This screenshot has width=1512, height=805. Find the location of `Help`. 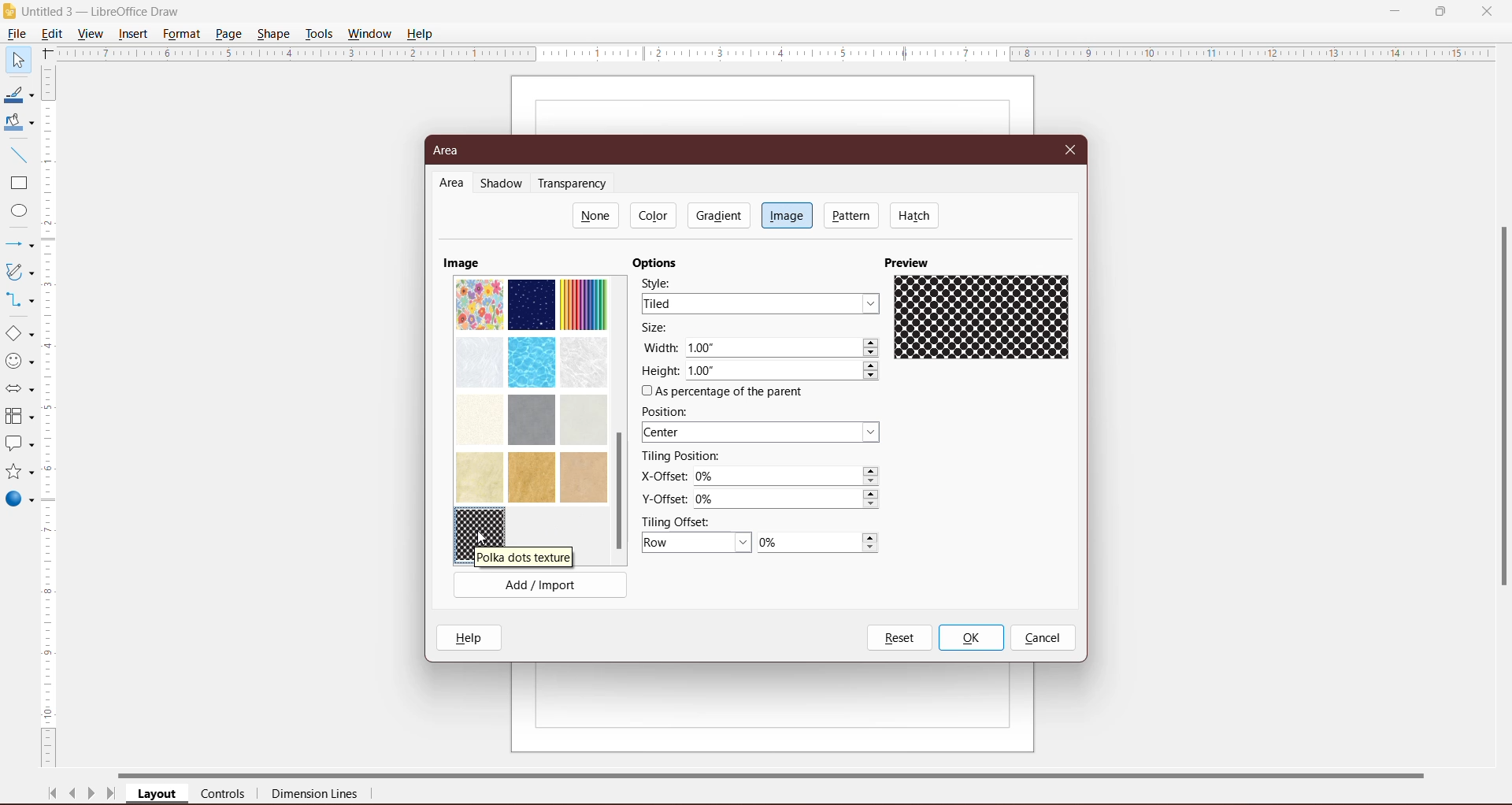

Help is located at coordinates (472, 637).